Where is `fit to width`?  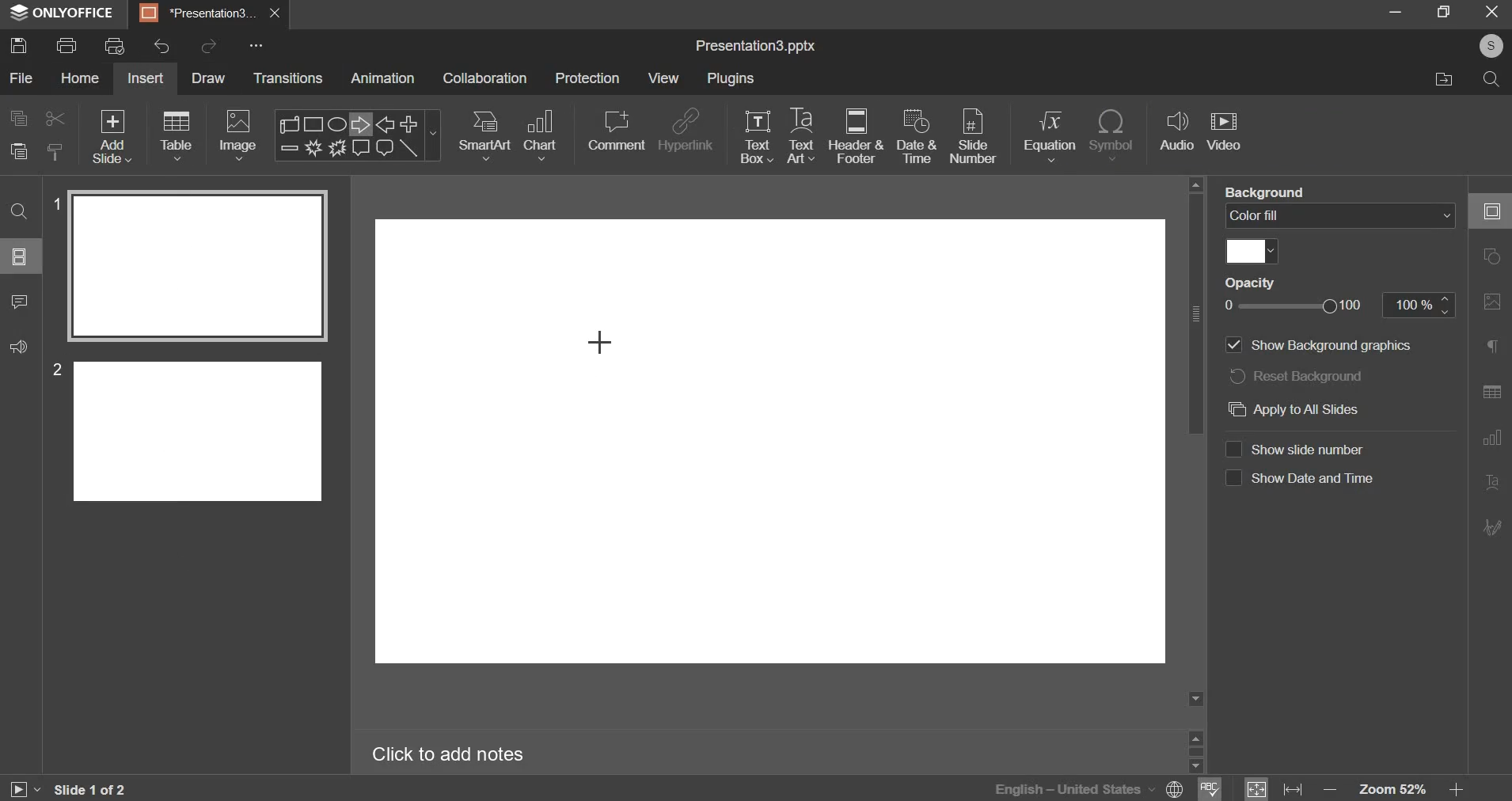
fit to width is located at coordinates (1293, 790).